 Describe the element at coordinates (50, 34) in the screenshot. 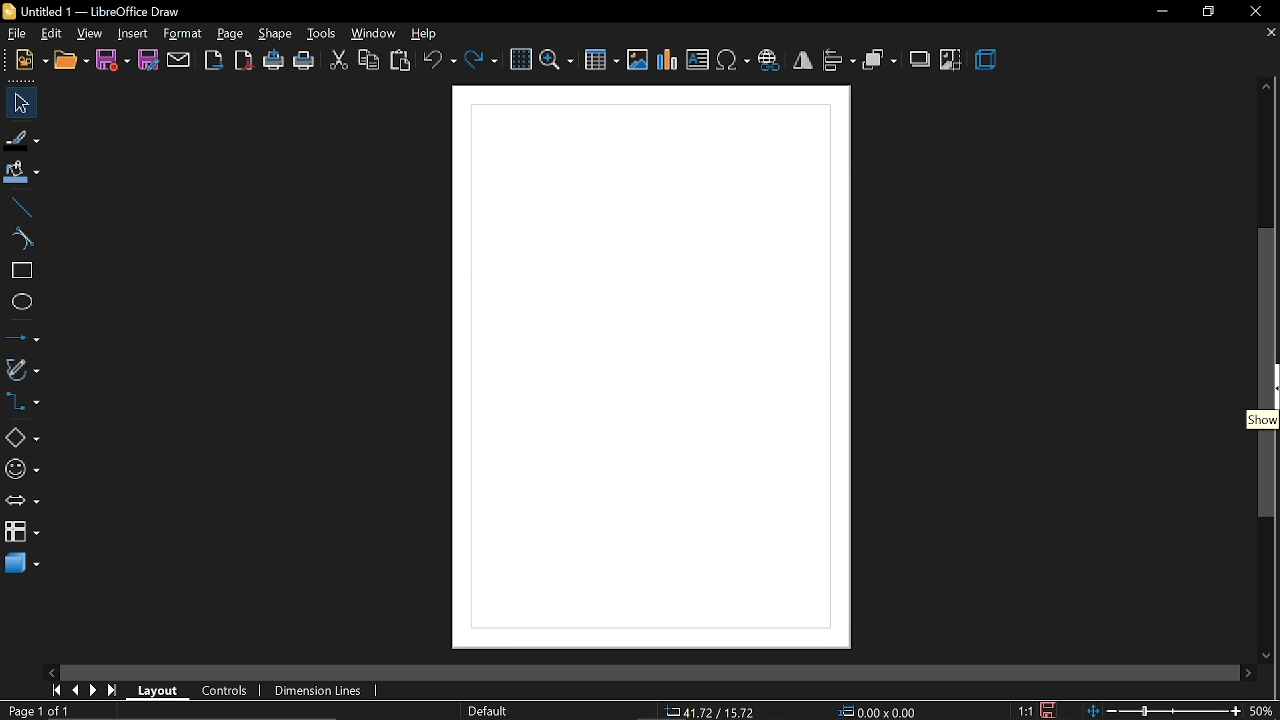

I see `edit` at that location.